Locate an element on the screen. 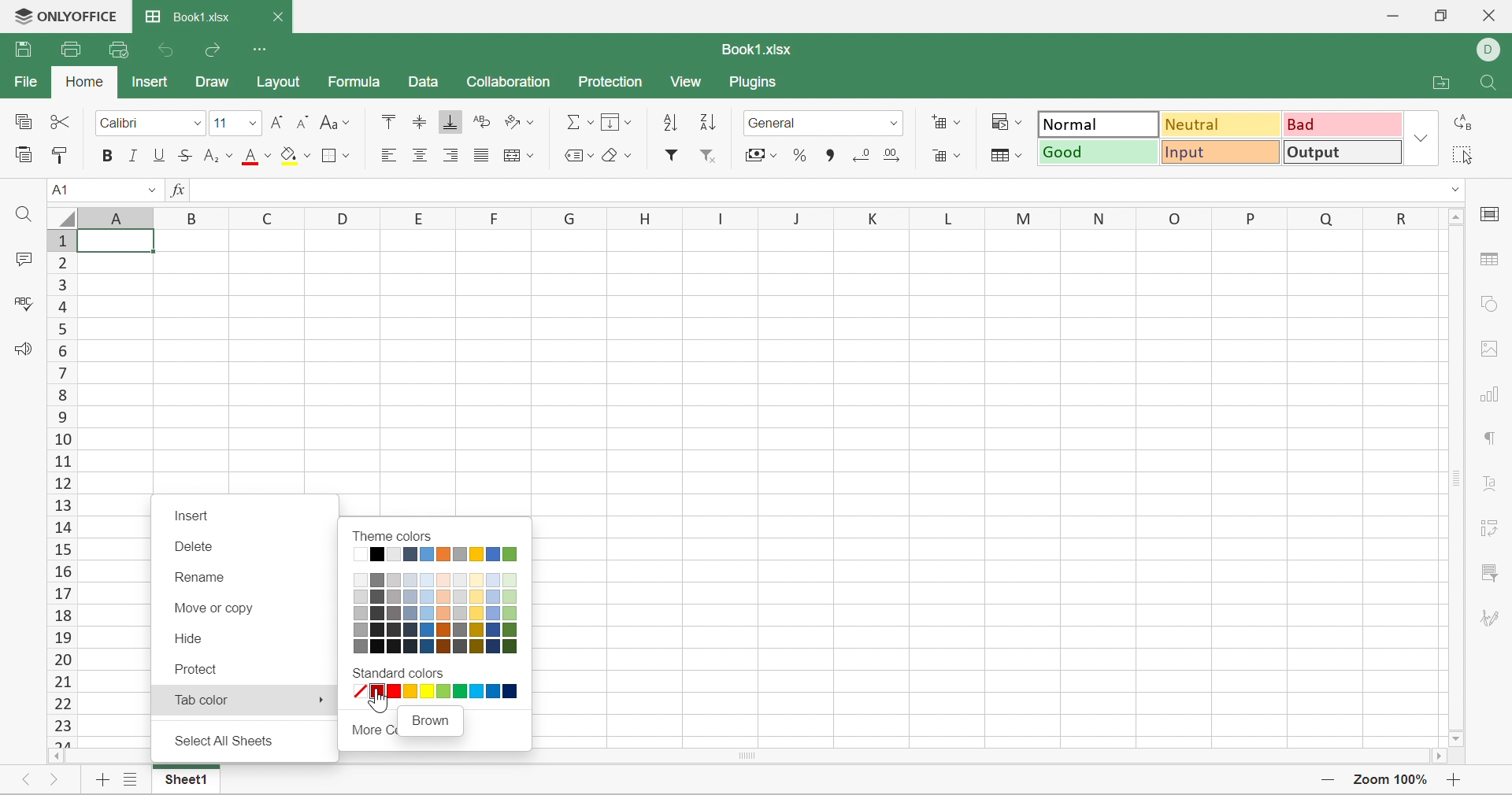  Paste is located at coordinates (23, 154).